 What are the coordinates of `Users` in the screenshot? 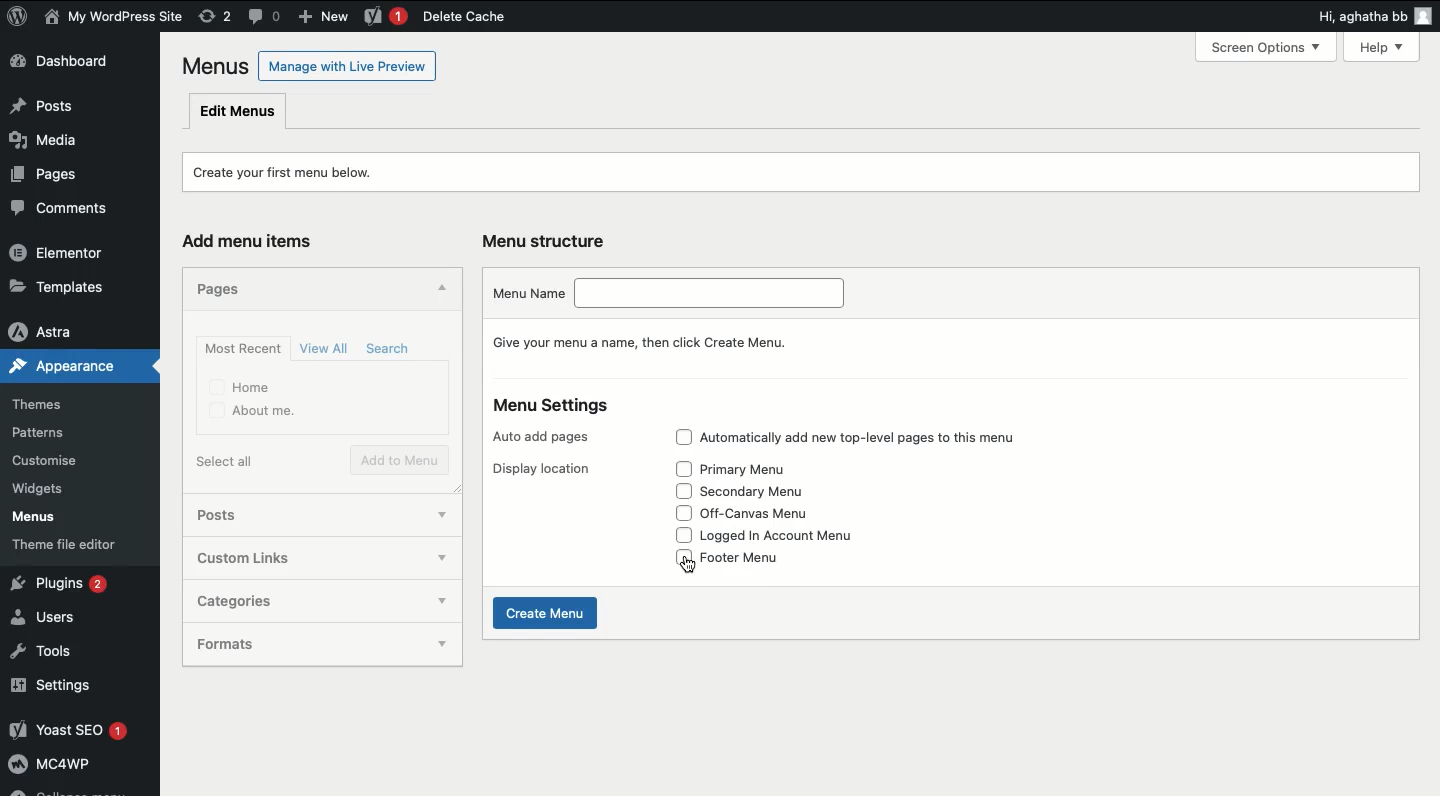 It's located at (57, 619).